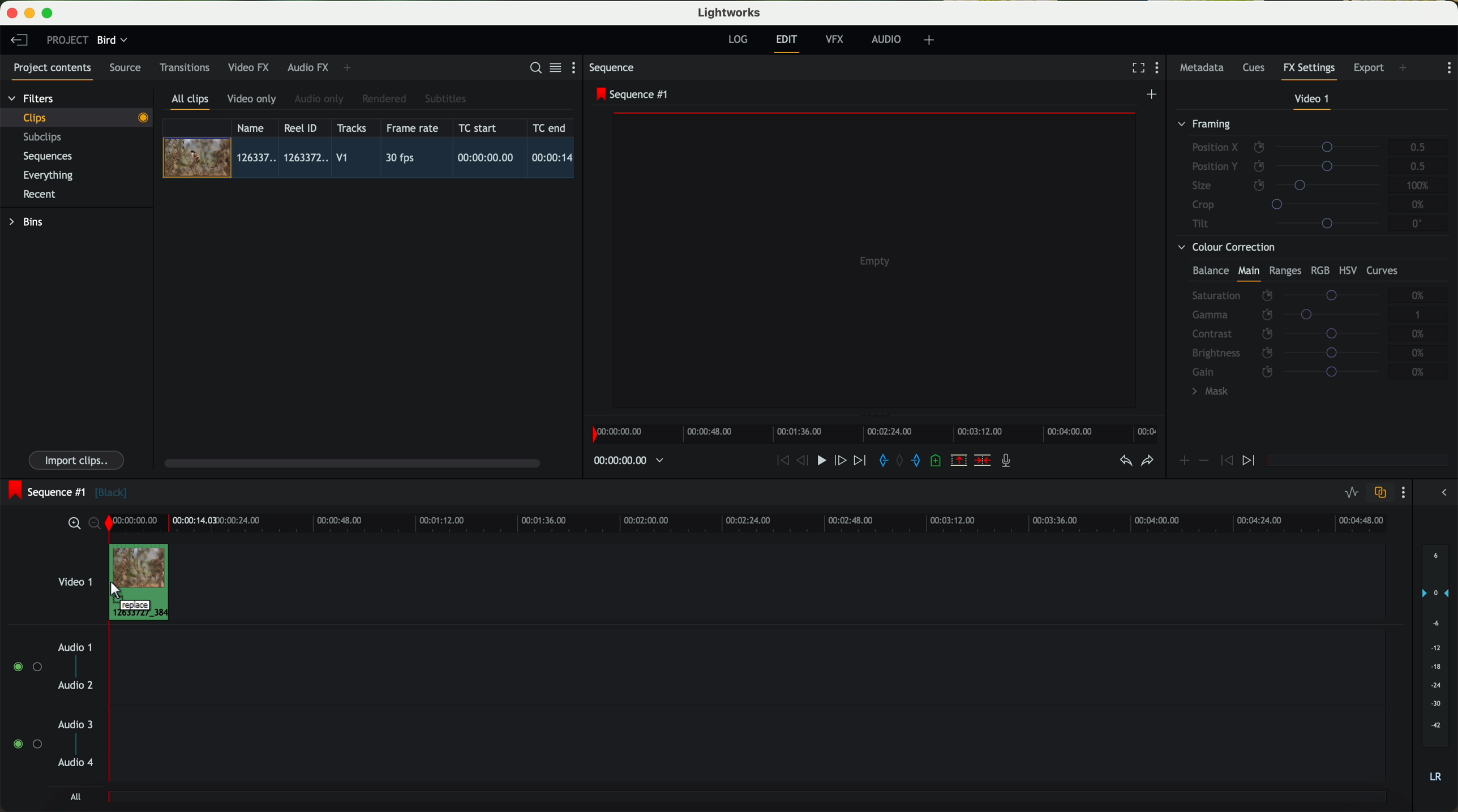  Describe the element at coordinates (1402, 492) in the screenshot. I see `show settings menu` at that location.